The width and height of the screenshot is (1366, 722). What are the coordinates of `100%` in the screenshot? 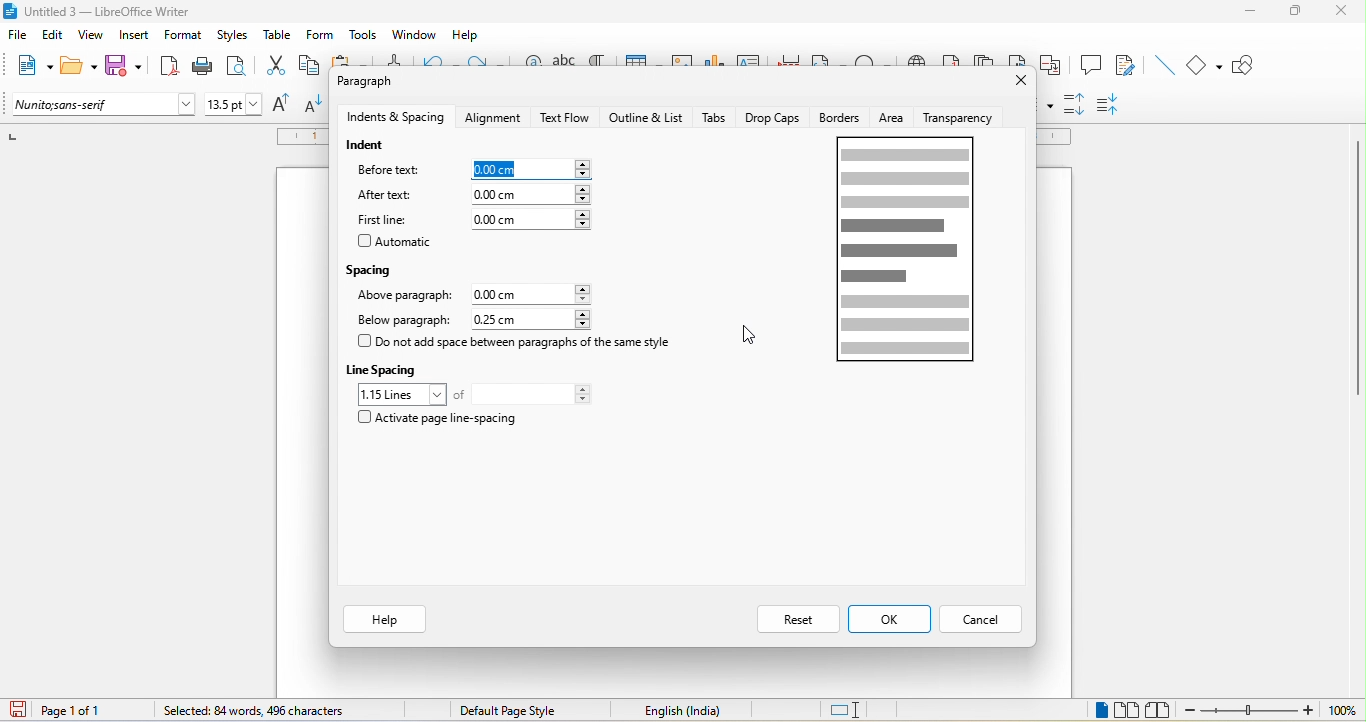 It's located at (1342, 711).